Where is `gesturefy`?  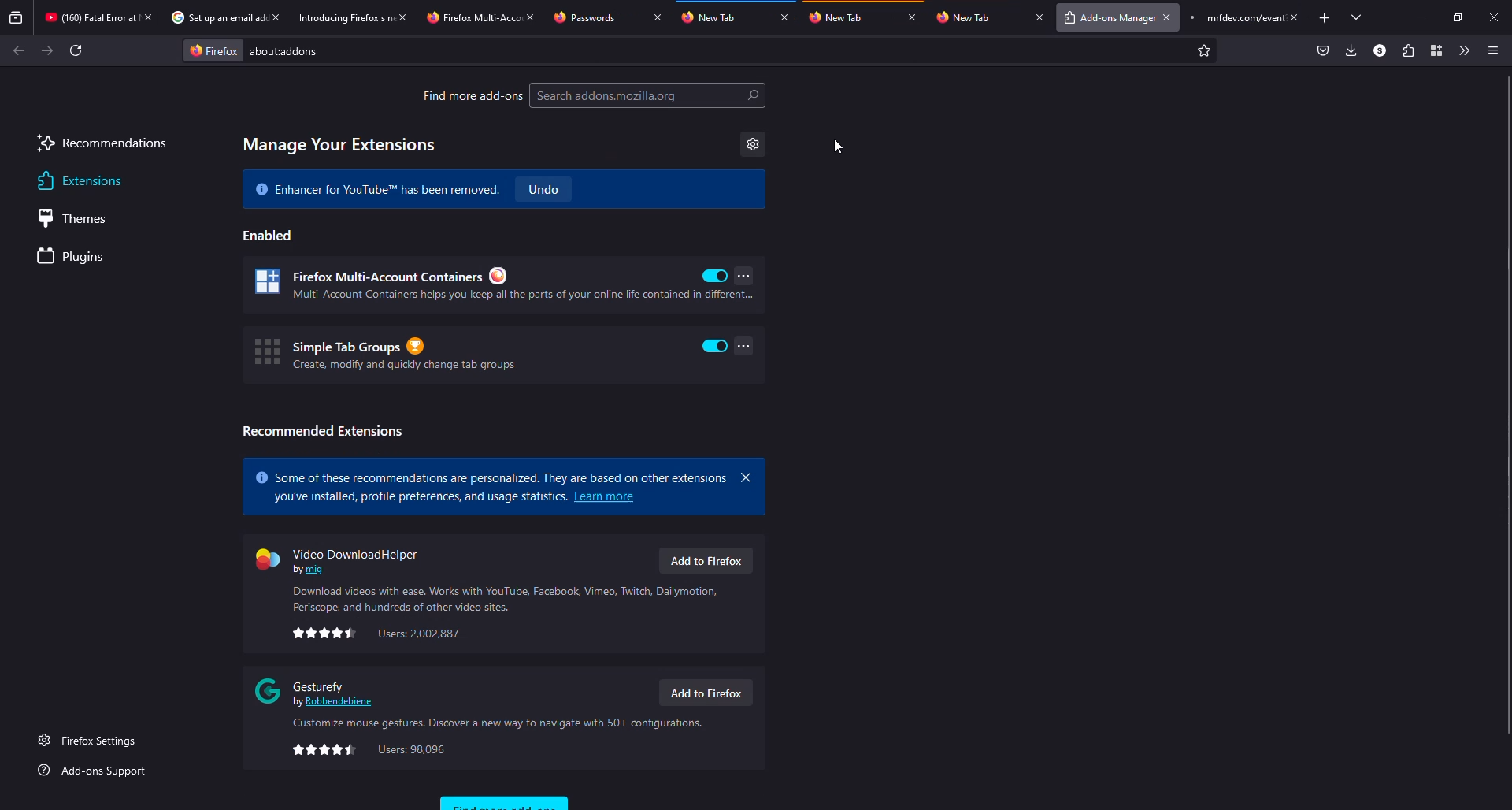
gesturefy is located at coordinates (320, 692).